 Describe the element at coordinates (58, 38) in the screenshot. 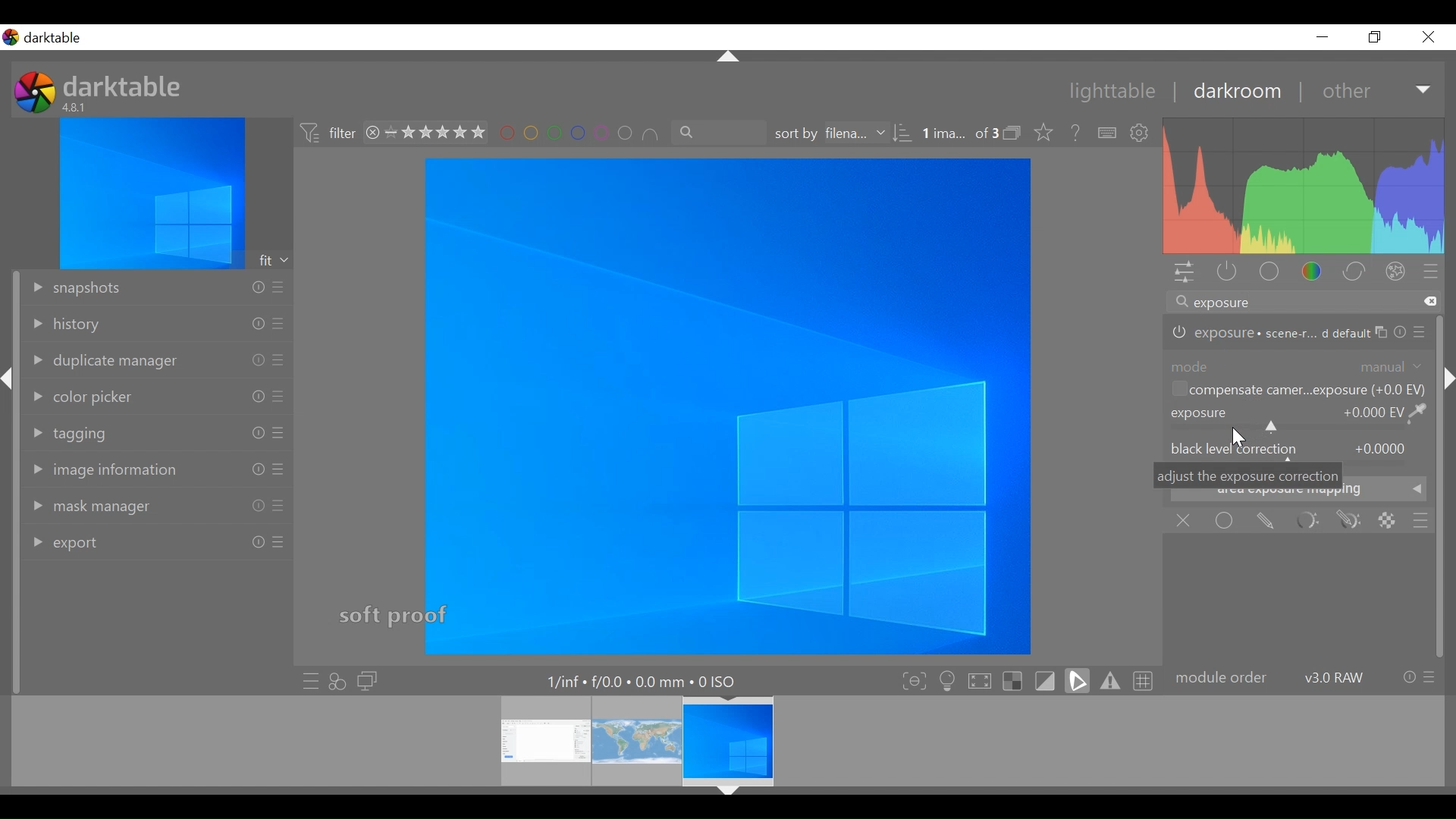

I see `darktable` at that location.